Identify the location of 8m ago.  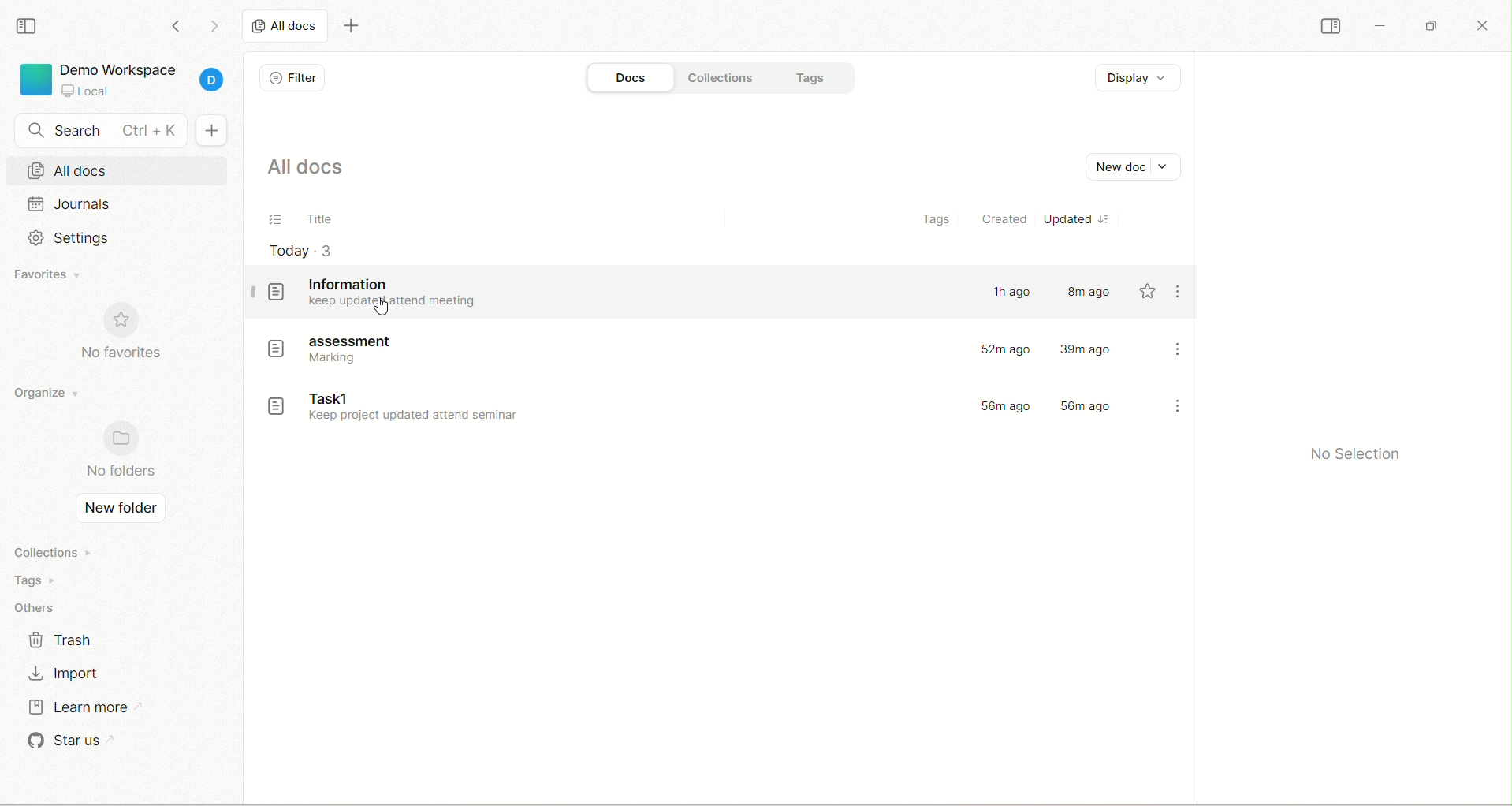
(1092, 294).